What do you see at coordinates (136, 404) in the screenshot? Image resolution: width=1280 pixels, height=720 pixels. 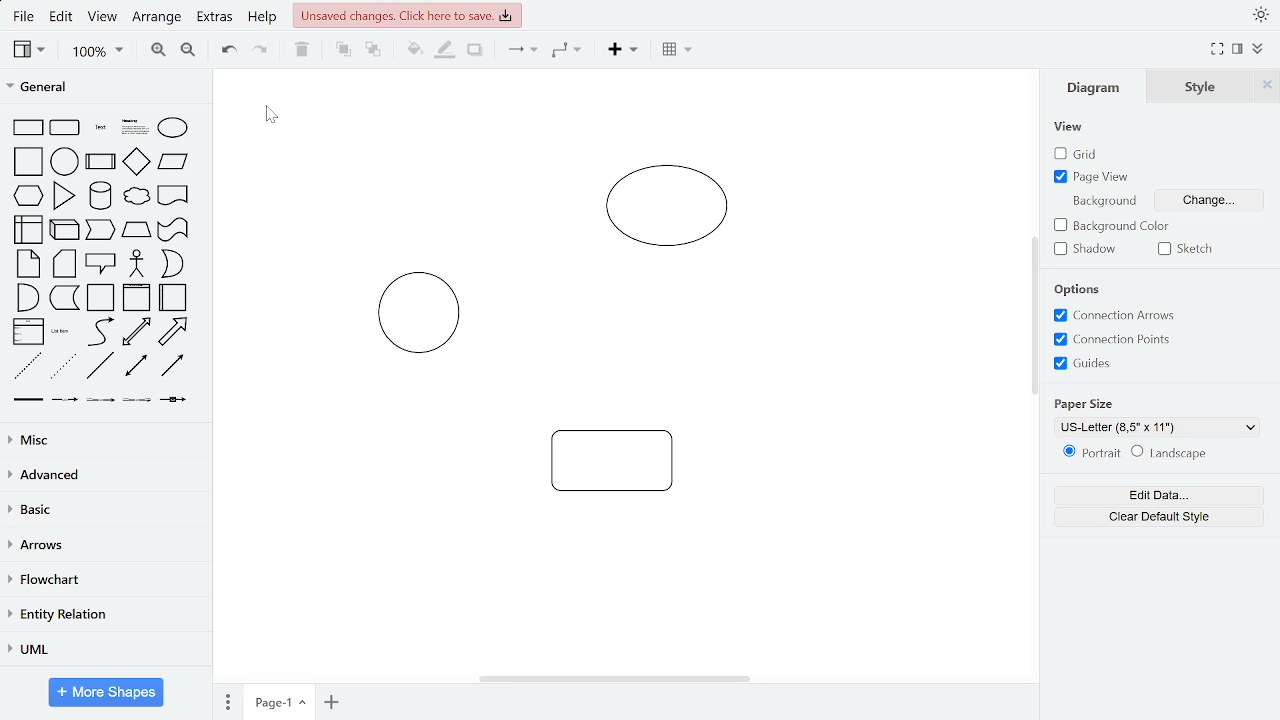 I see `Connector with 3 label` at bounding box center [136, 404].